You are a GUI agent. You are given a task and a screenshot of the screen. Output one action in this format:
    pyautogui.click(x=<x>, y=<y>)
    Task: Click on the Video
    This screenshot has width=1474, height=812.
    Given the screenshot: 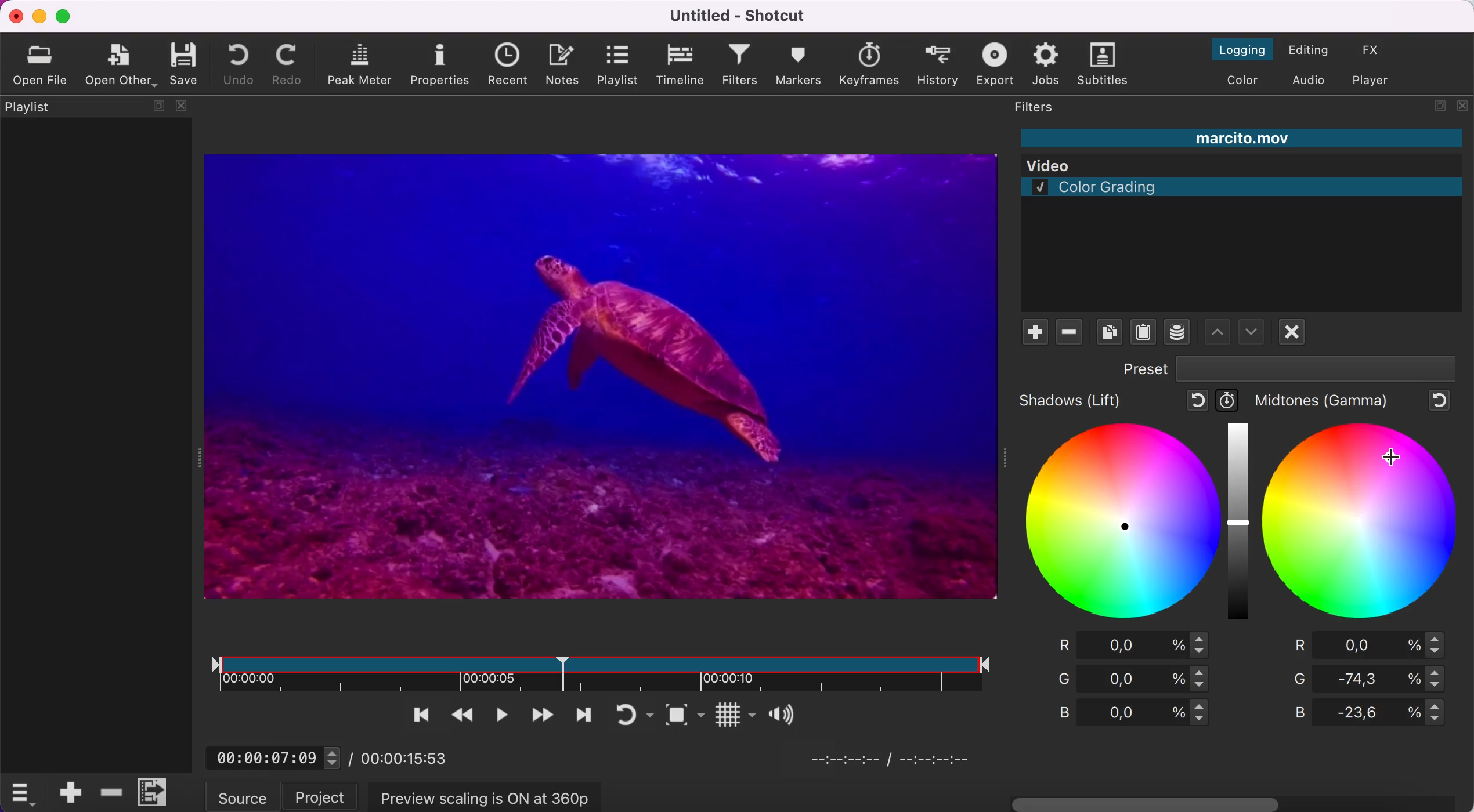 What is the action you would take?
    pyautogui.click(x=1050, y=165)
    